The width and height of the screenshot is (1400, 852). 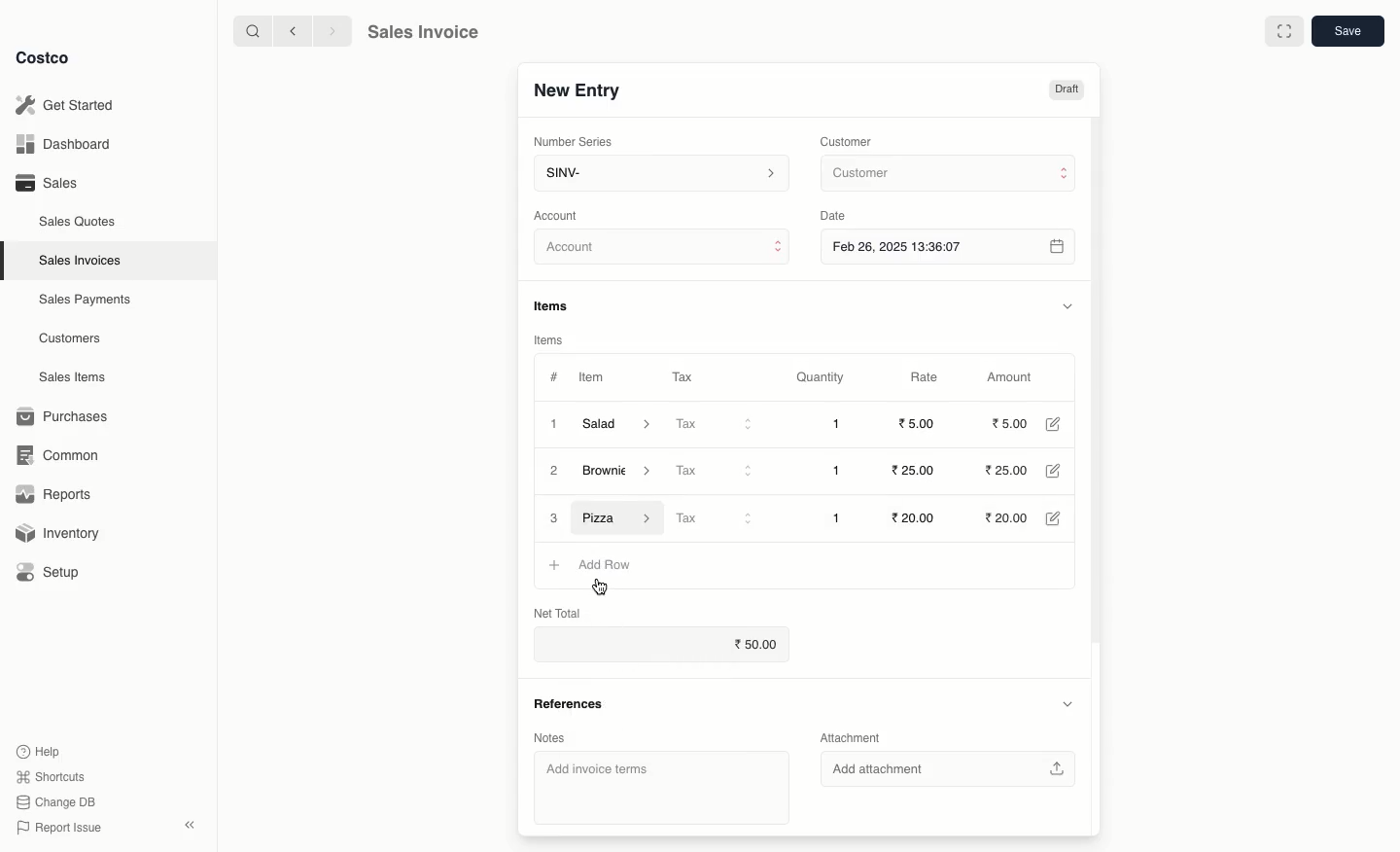 What do you see at coordinates (61, 531) in the screenshot?
I see `Inventory` at bounding box center [61, 531].